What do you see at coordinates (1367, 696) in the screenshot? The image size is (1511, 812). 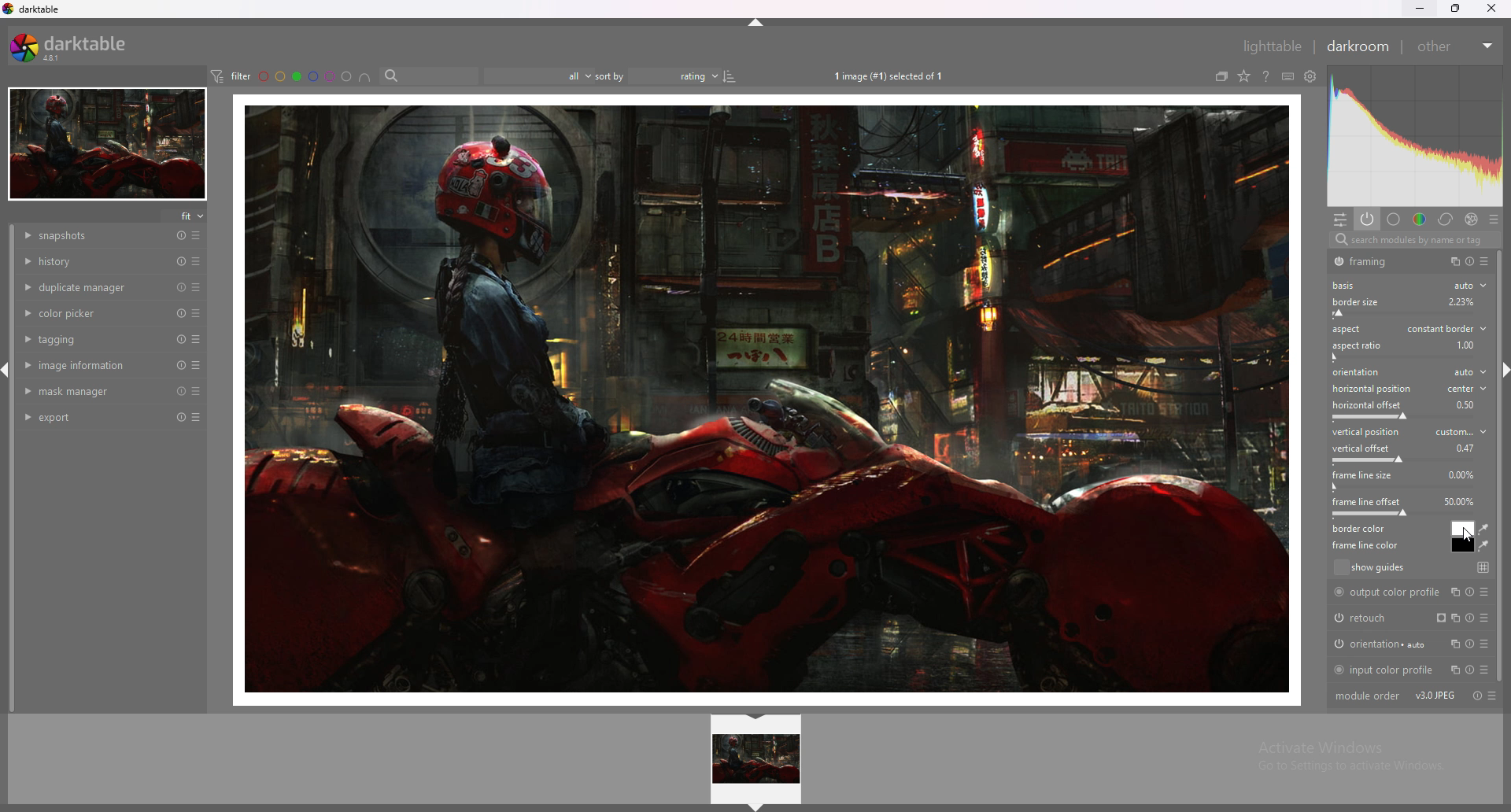 I see `module order` at bounding box center [1367, 696].